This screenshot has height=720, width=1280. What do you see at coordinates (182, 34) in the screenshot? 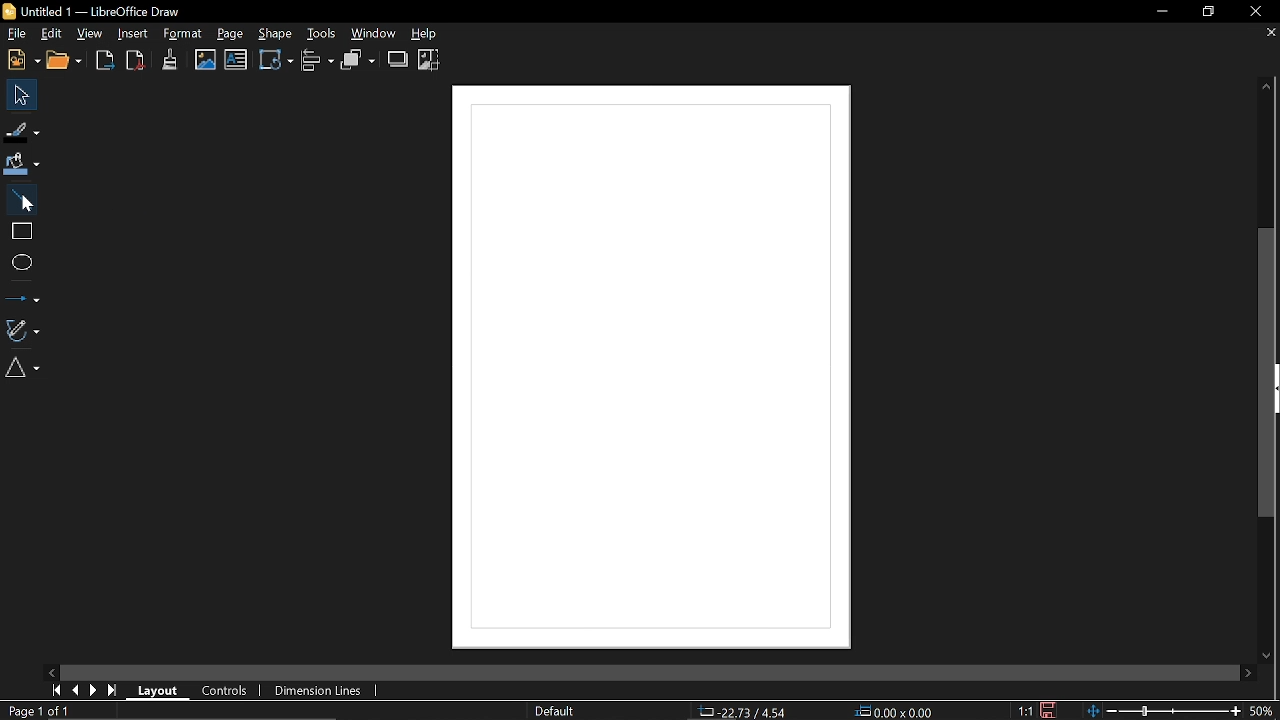
I see `Format` at bounding box center [182, 34].